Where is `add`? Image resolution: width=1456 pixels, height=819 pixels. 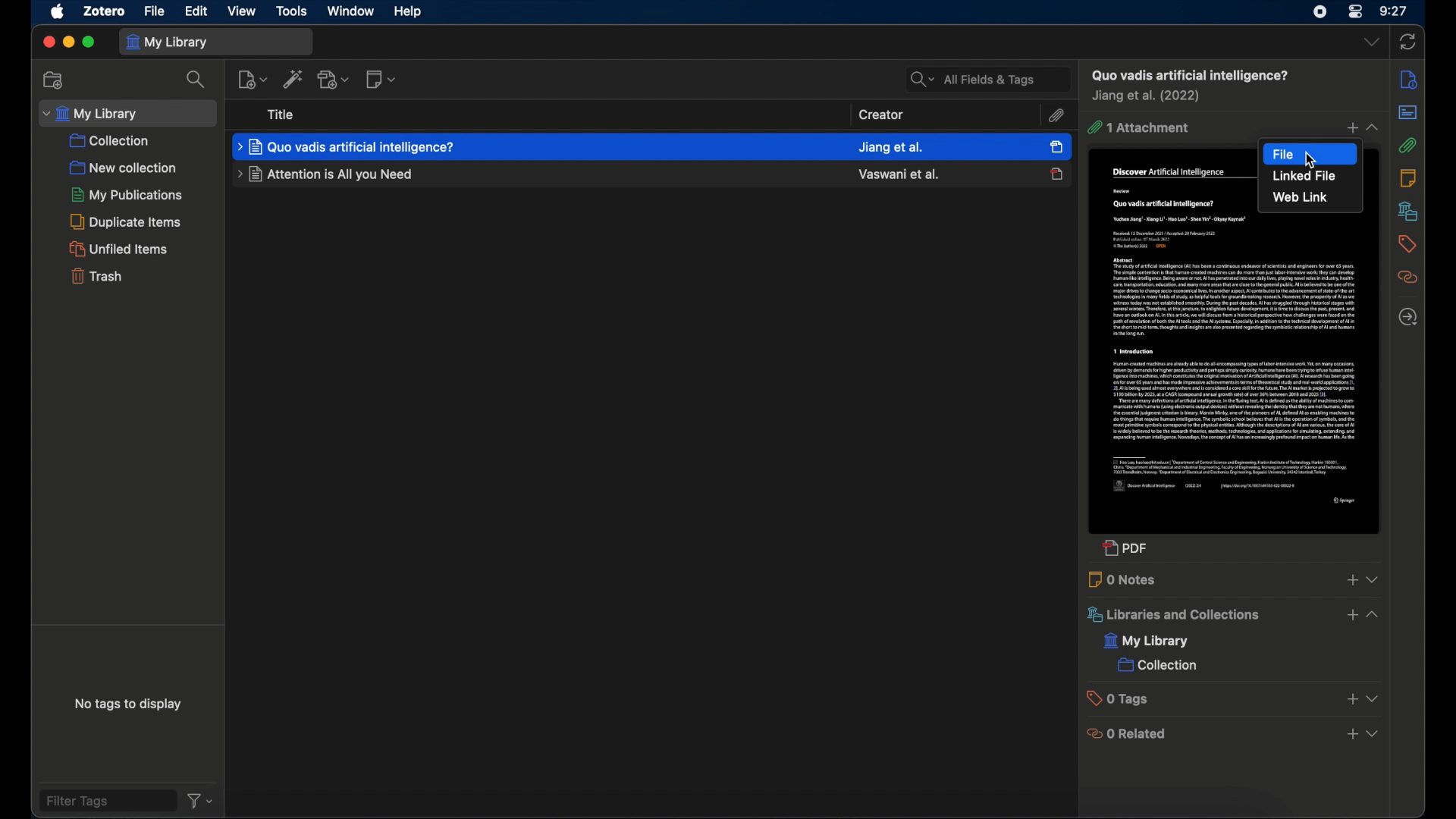
add is located at coordinates (1351, 700).